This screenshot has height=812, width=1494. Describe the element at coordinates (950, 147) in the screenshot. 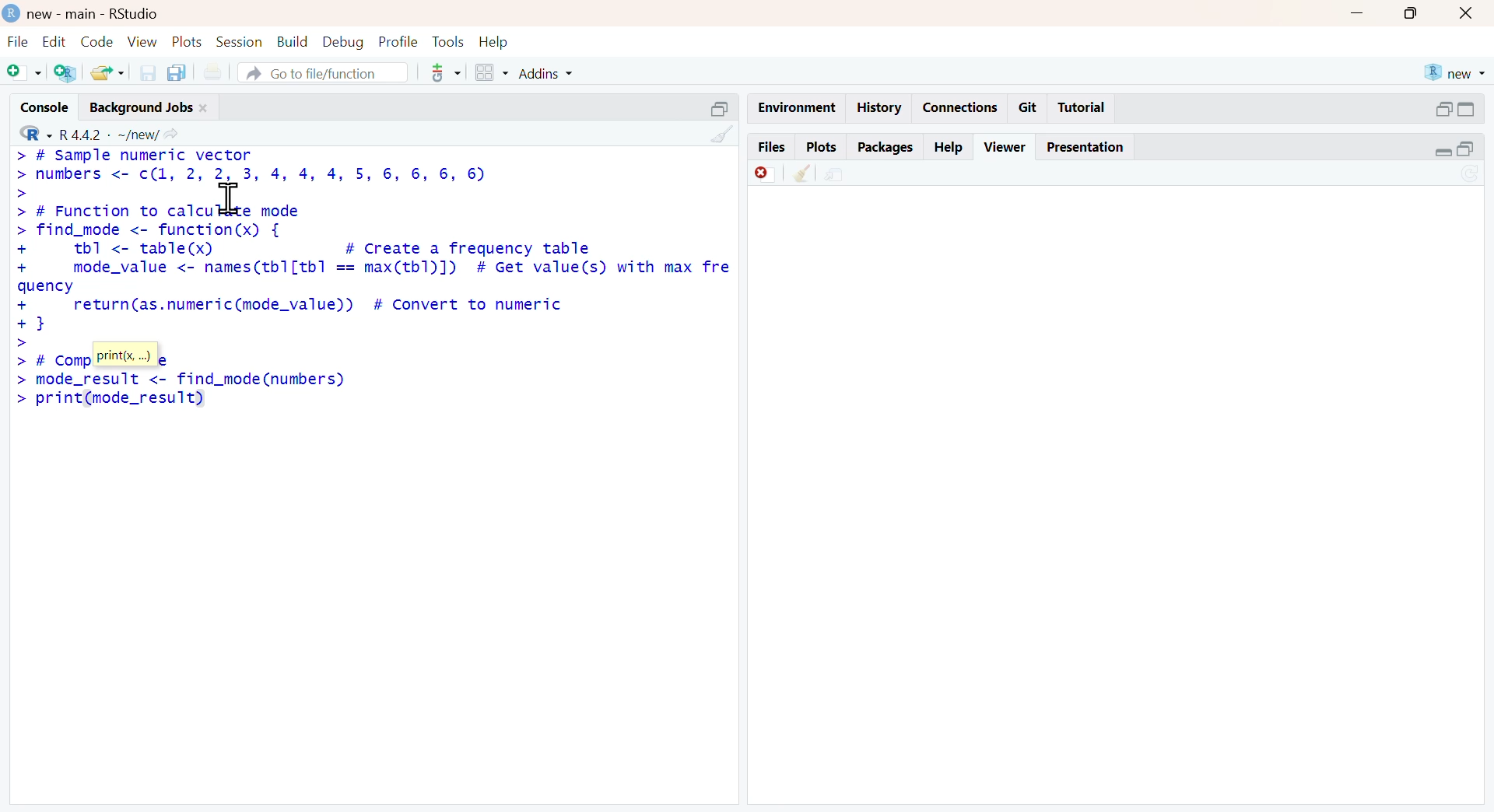

I see `help` at that location.